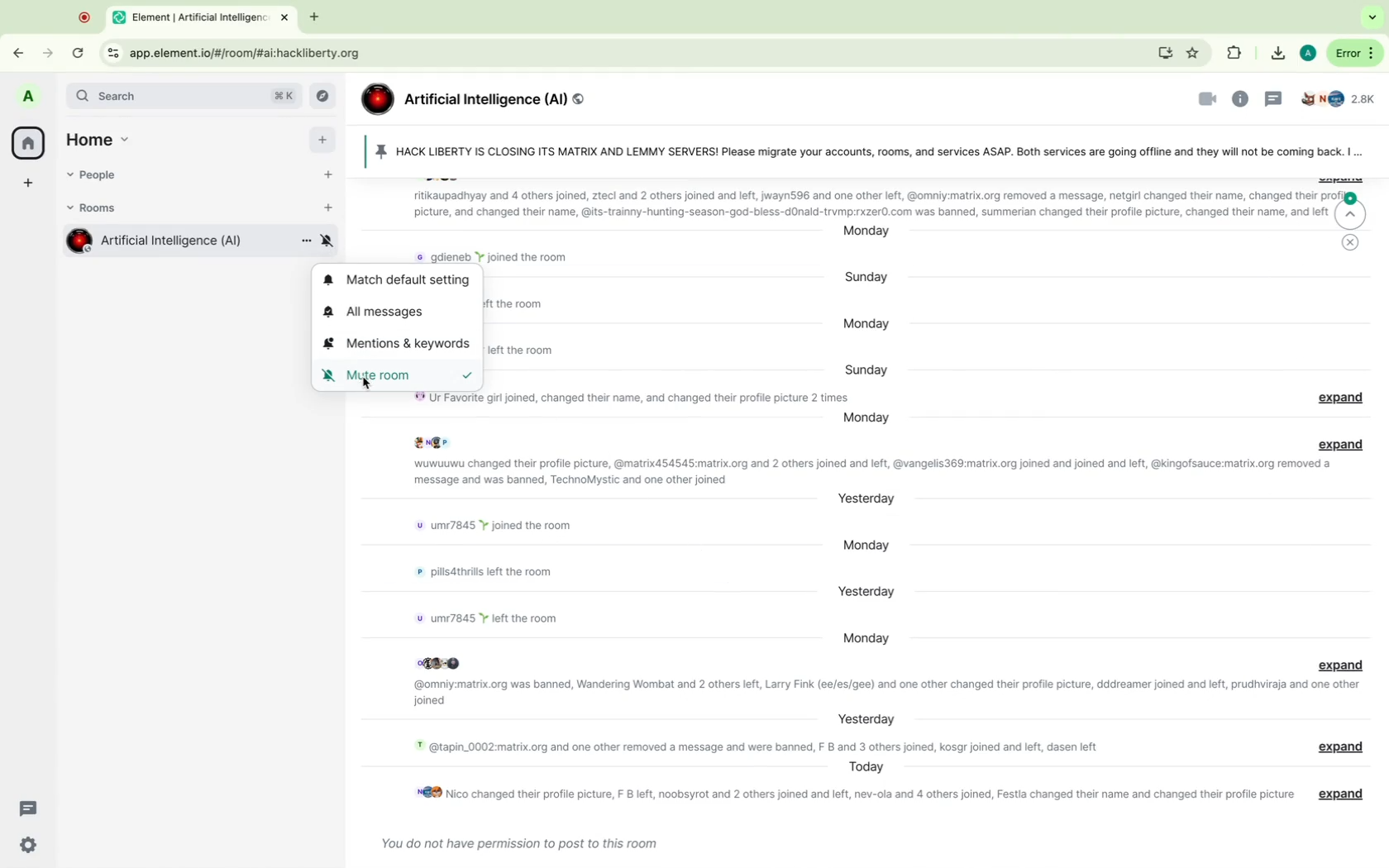 The image size is (1389, 868). What do you see at coordinates (1338, 443) in the screenshot?
I see `expand` at bounding box center [1338, 443].